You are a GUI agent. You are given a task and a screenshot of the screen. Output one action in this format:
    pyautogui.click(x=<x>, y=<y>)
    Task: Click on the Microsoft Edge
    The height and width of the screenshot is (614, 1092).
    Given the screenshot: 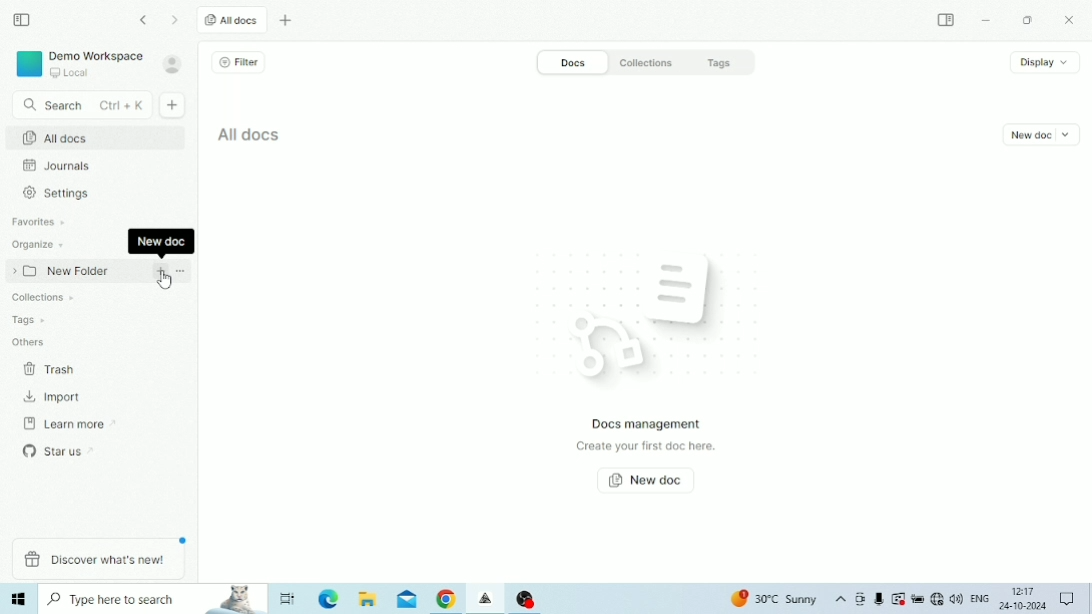 What is the action you would take?
    pyautogui.click(x=330, y=599)
    